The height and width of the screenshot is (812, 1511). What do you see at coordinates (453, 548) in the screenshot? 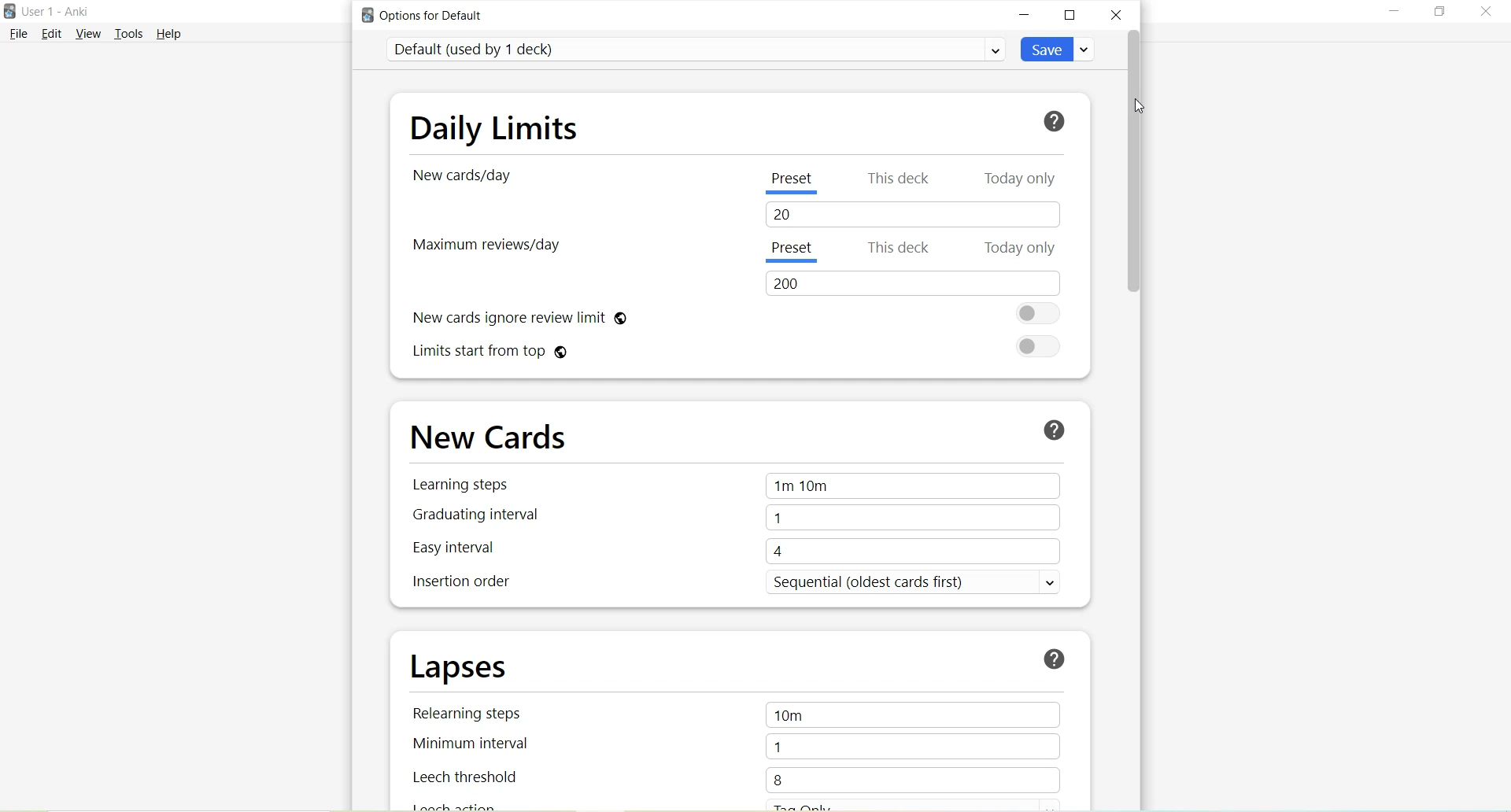
I see `Easy interval` at bounding box center [453, 548].